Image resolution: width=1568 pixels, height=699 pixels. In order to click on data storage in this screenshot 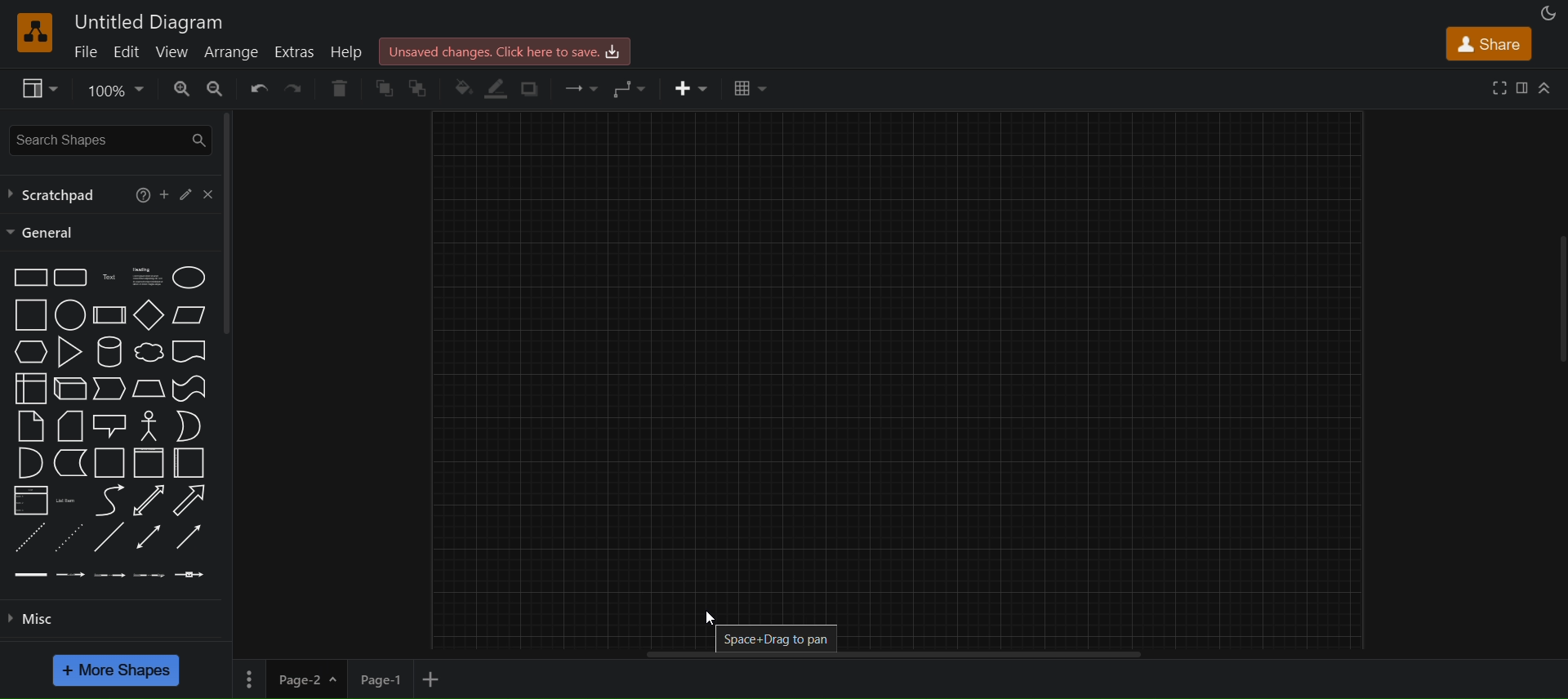, I will do `click(69, 463)`.